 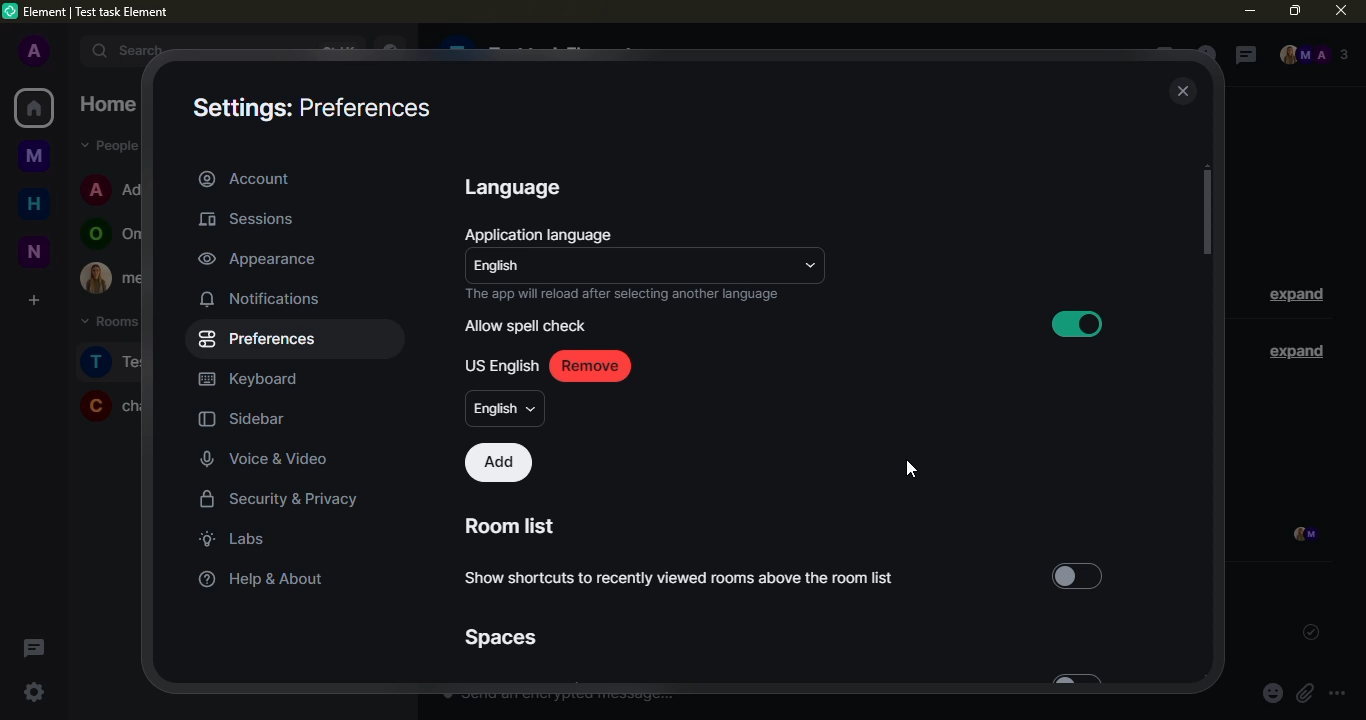 What do you see at coordinates (1337, 694) in the screenshot?
I see `more` at bounding box center [1337, 694].